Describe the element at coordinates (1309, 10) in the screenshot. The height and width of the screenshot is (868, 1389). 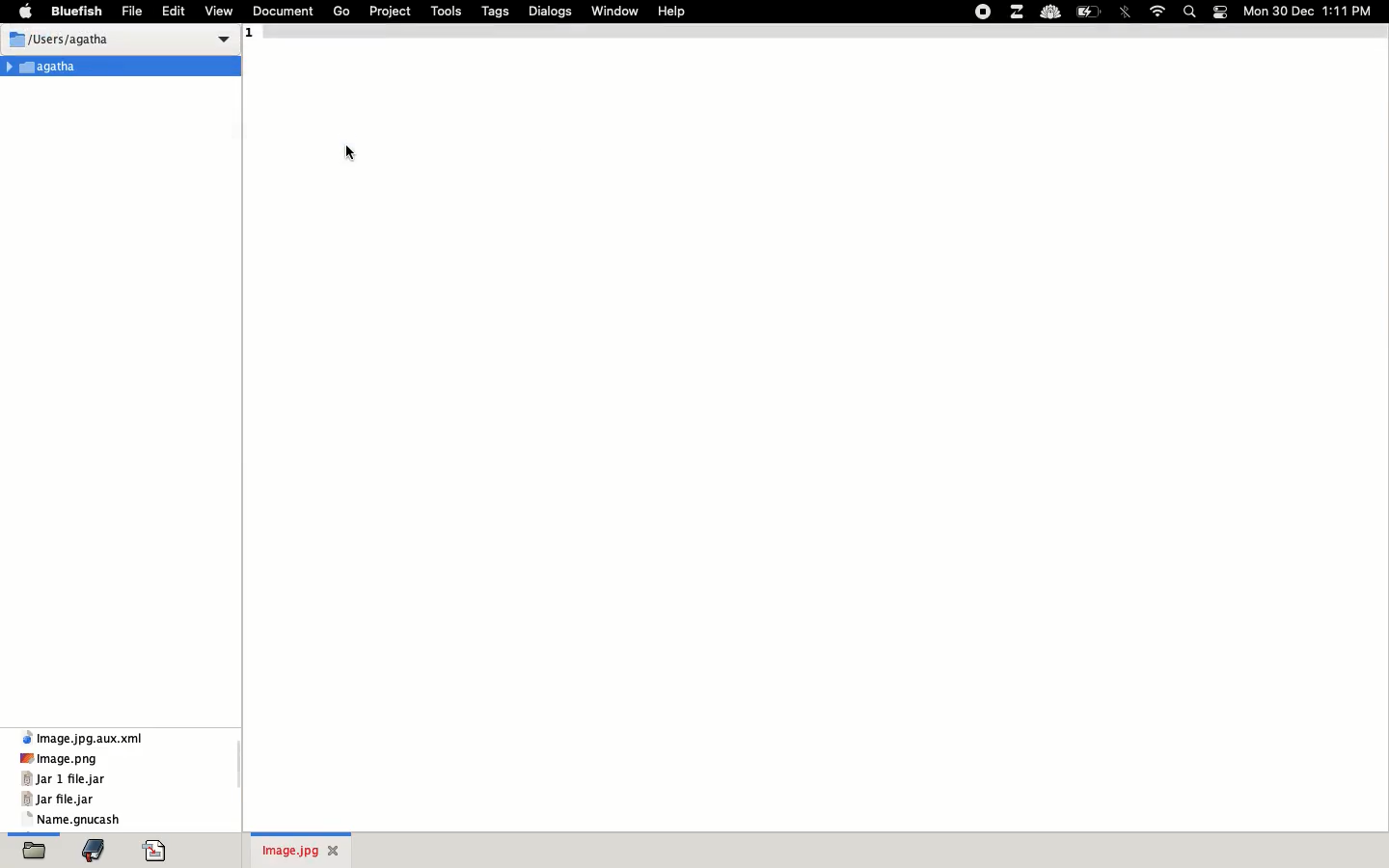
I see `Mon 30 Dec 1:11 PM` at that location.